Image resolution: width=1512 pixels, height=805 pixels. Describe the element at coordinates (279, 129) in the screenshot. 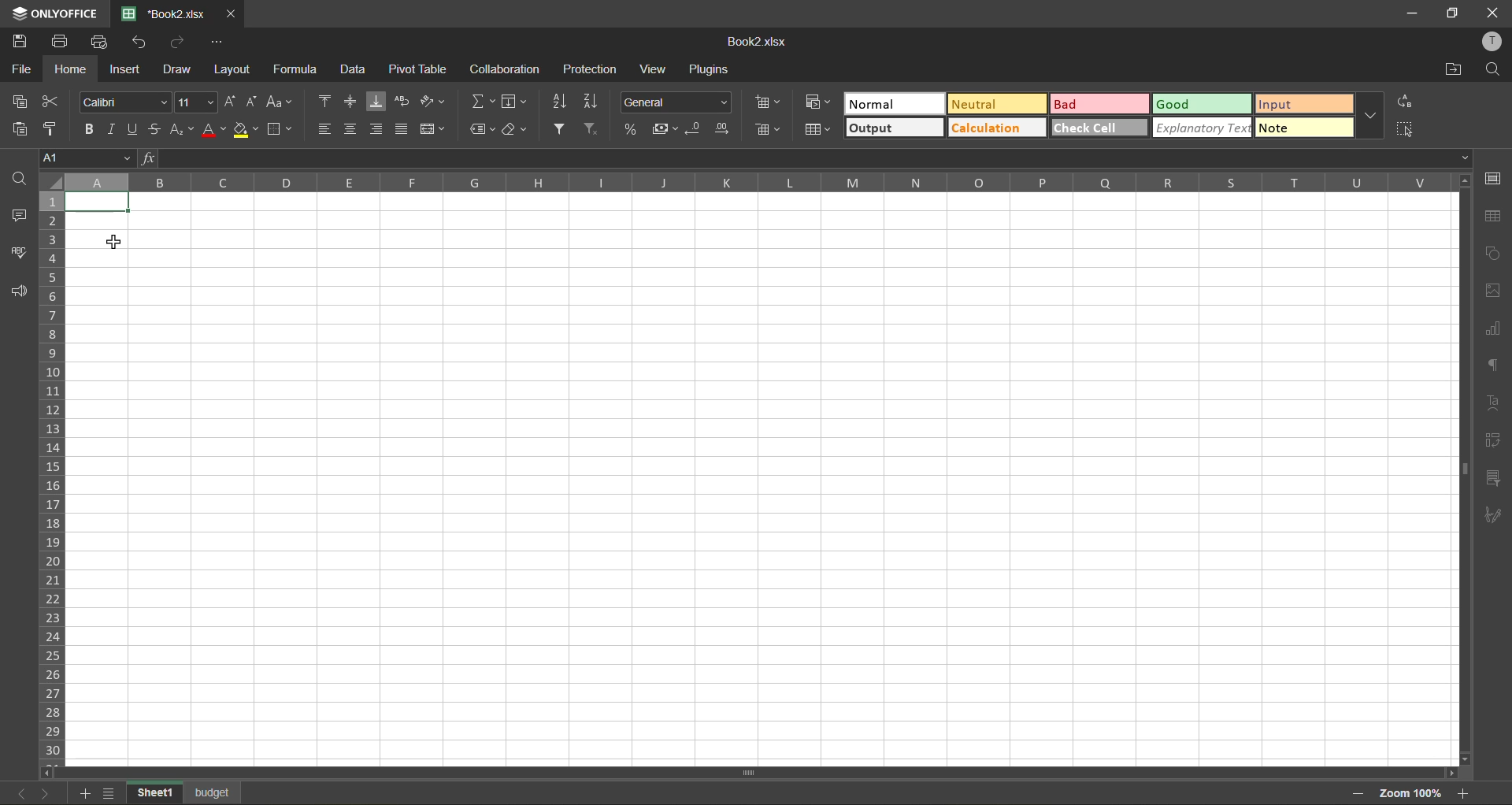

I see `borders` at that location.